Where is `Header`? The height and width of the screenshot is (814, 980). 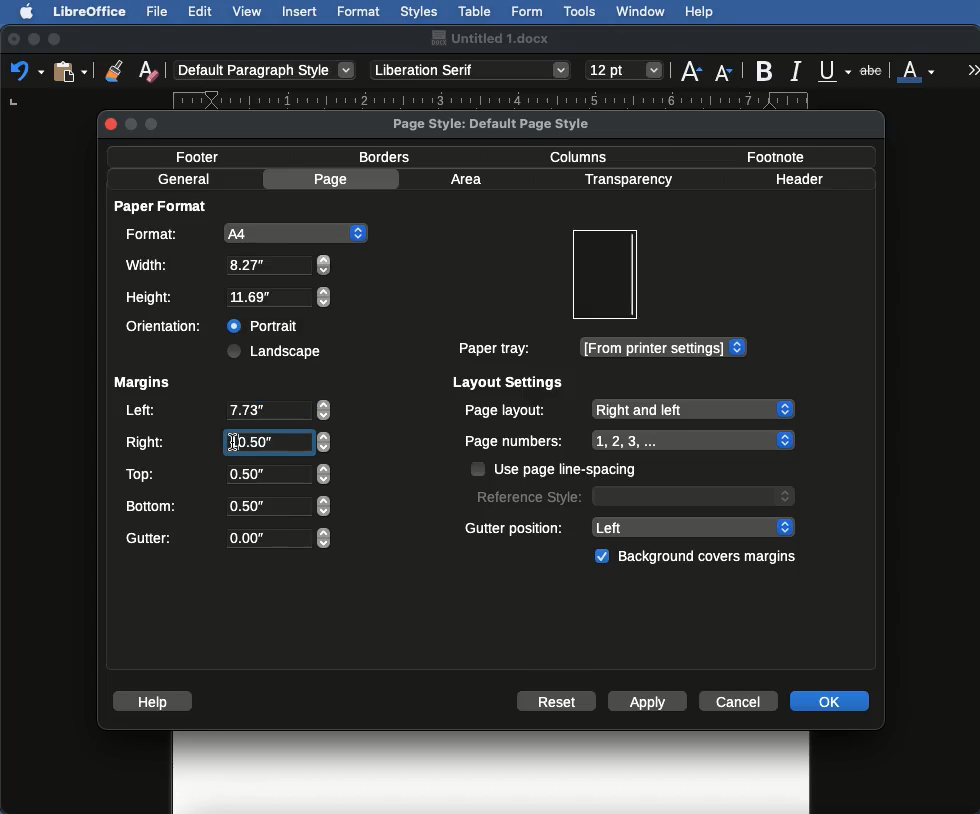 Header is located at coordinates (799, 179).